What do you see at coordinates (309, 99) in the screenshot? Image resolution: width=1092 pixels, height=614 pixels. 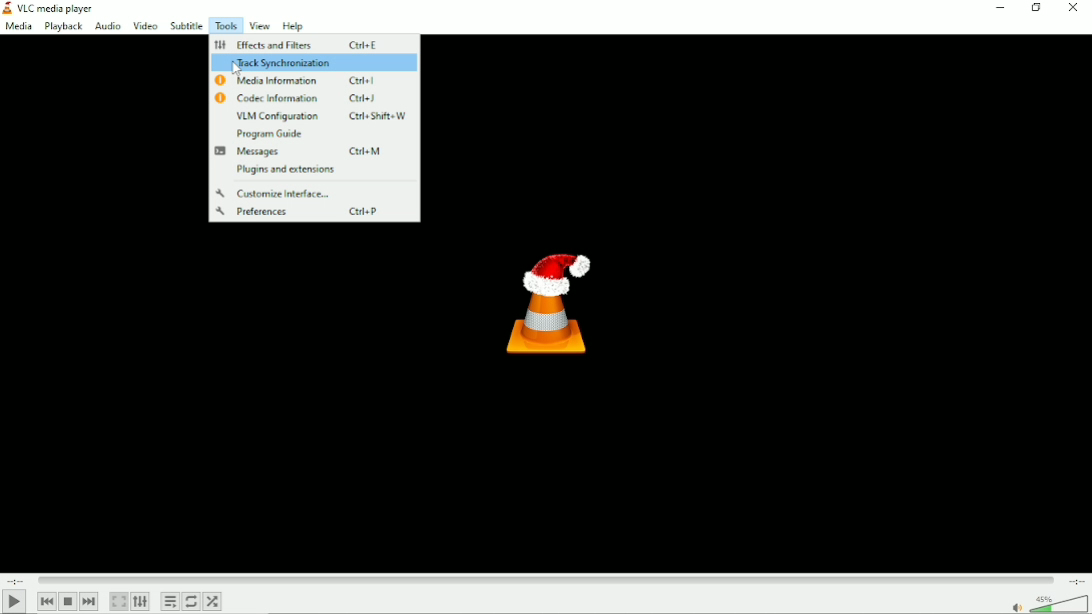 I see `Codec information` at bounding box center [309, 99].